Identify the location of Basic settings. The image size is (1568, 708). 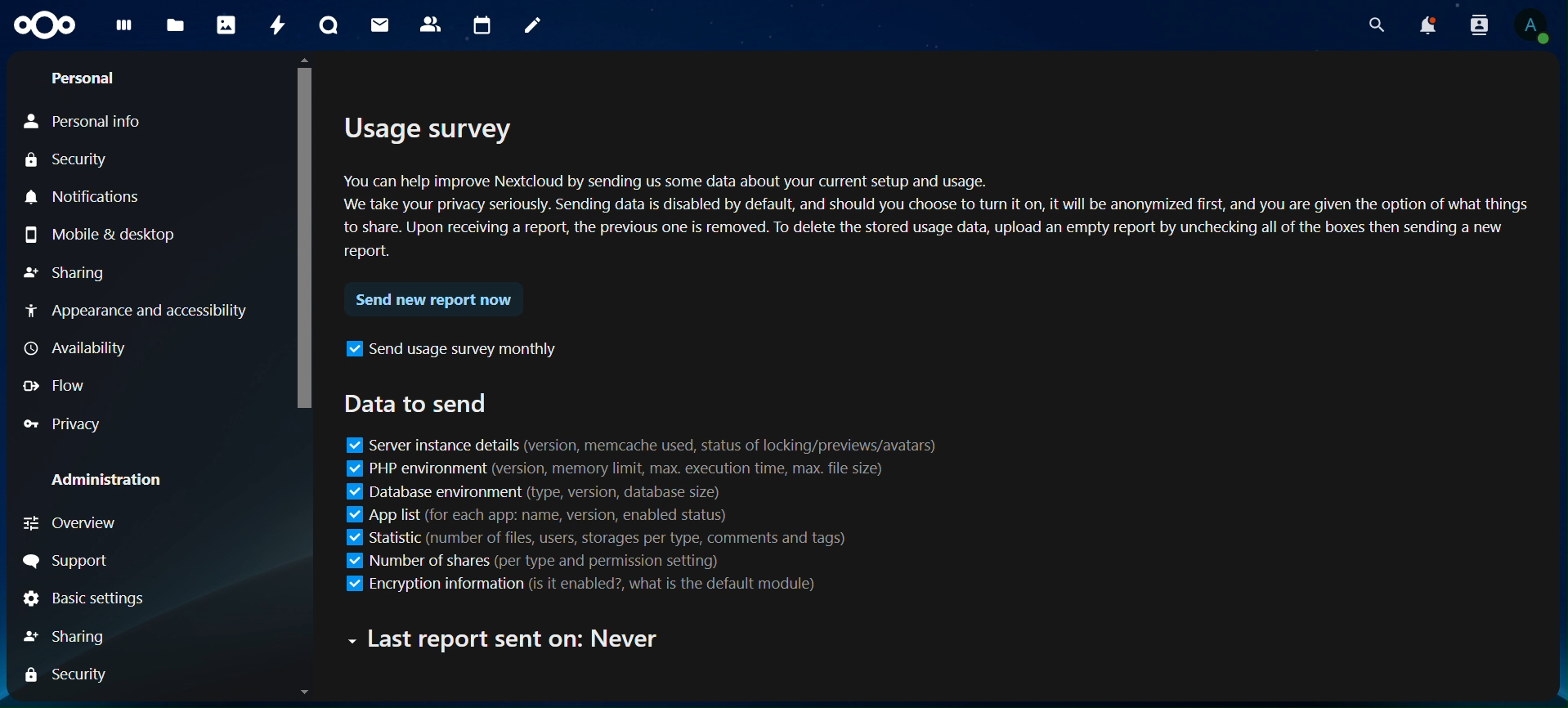
(87, 603).